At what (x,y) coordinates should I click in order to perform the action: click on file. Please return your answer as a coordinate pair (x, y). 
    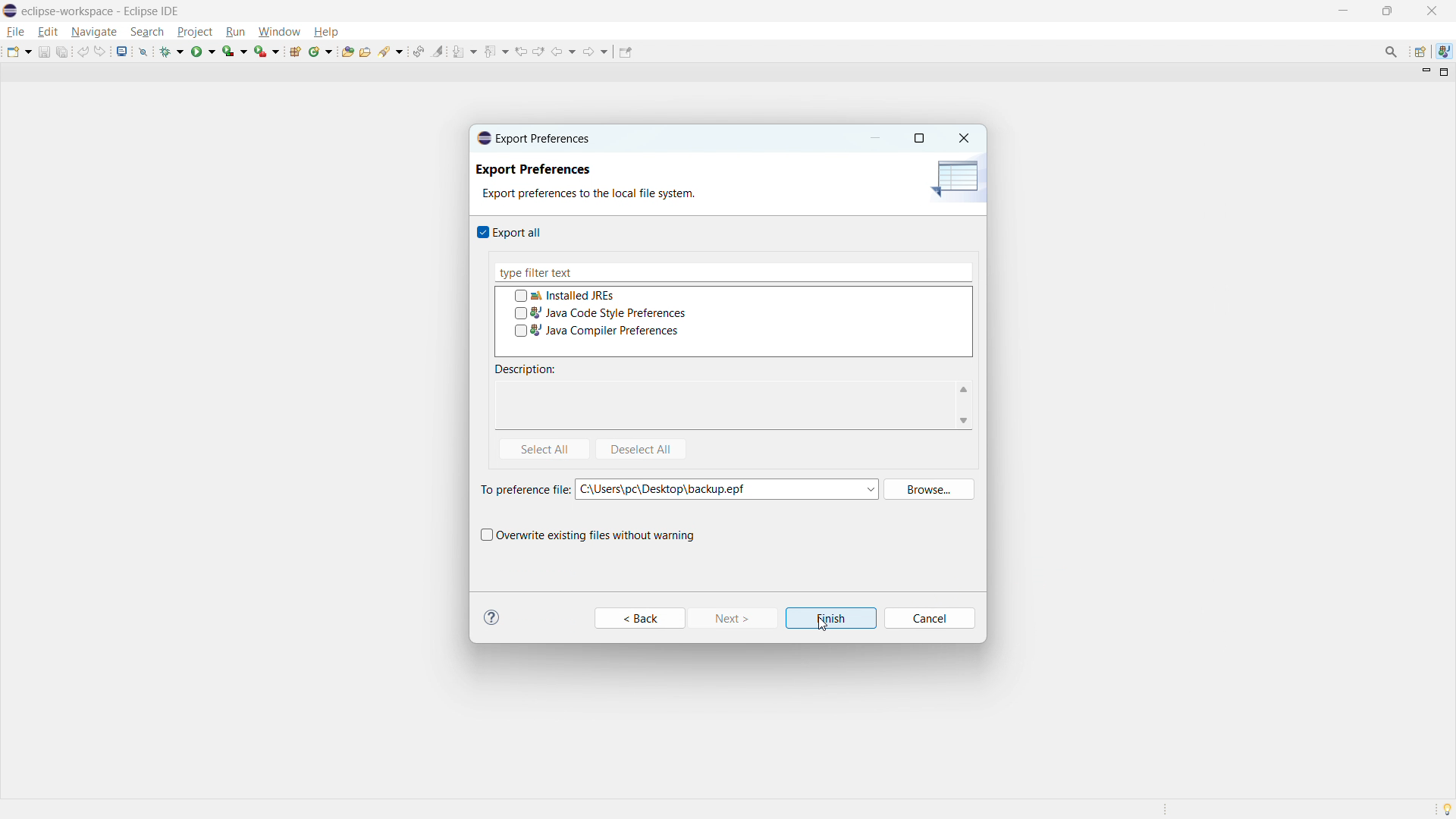
    Looking at the image, I should click on (17, 32).